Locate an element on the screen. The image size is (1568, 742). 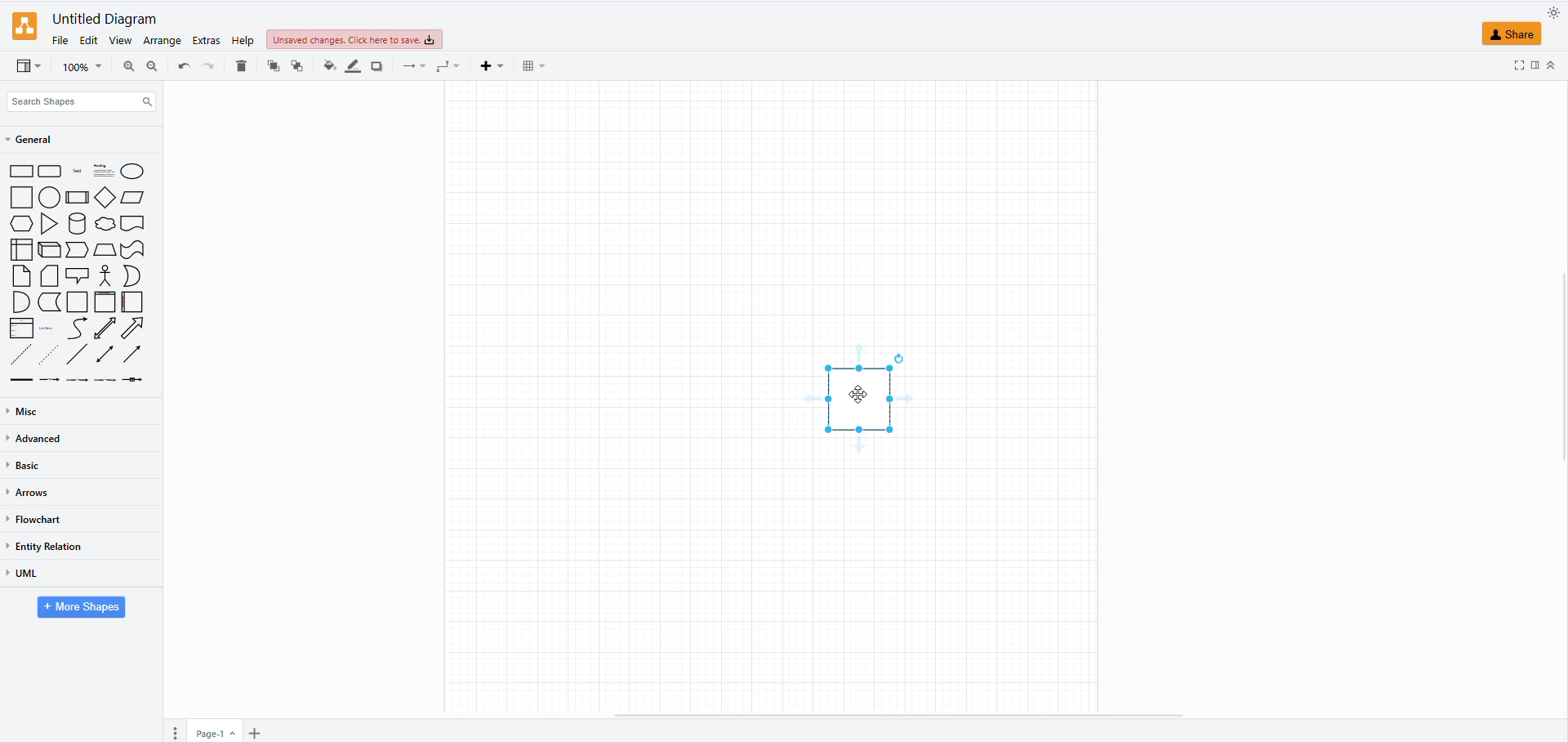
parellelogram is located at coordinates (134, 198).